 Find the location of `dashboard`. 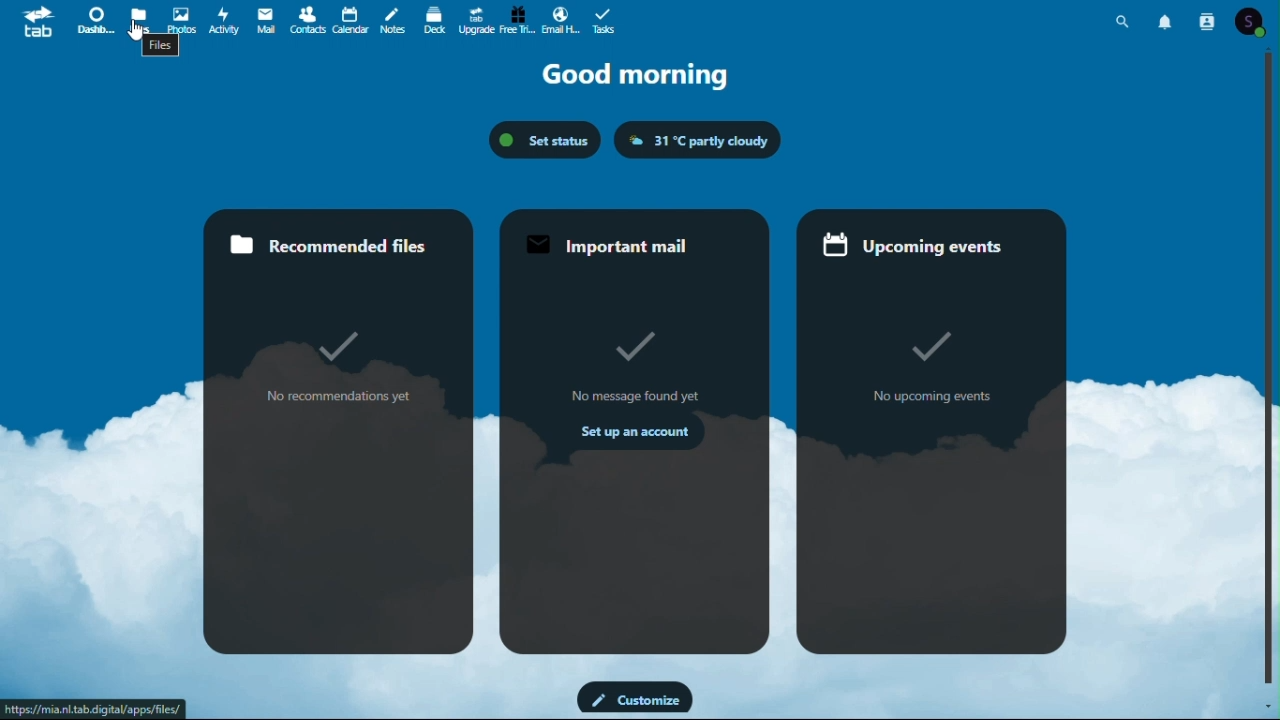

dashboard is located at coordinates (91, 19).